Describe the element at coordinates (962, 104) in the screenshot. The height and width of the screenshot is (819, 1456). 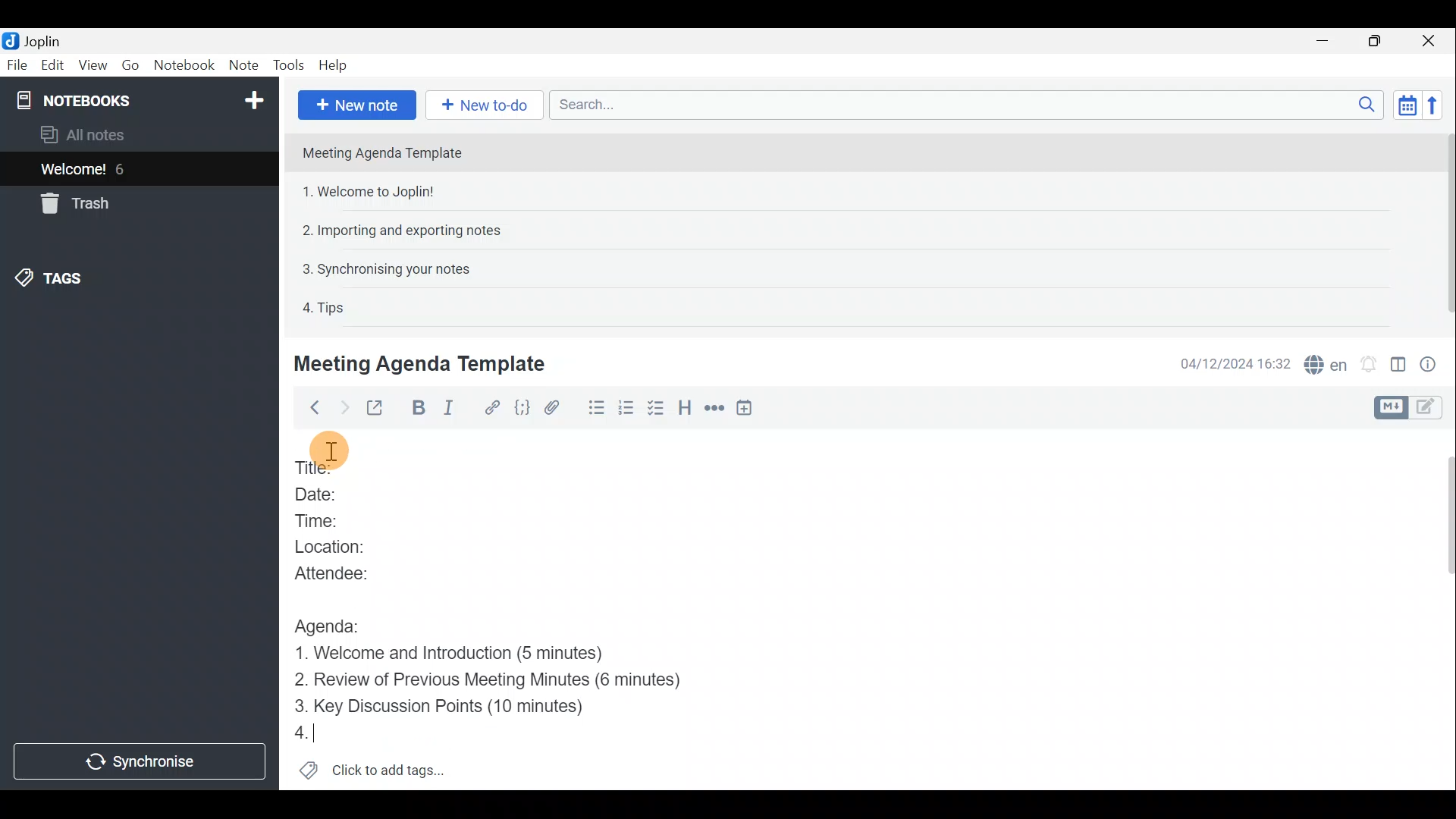
I see `Search bar` at that location.